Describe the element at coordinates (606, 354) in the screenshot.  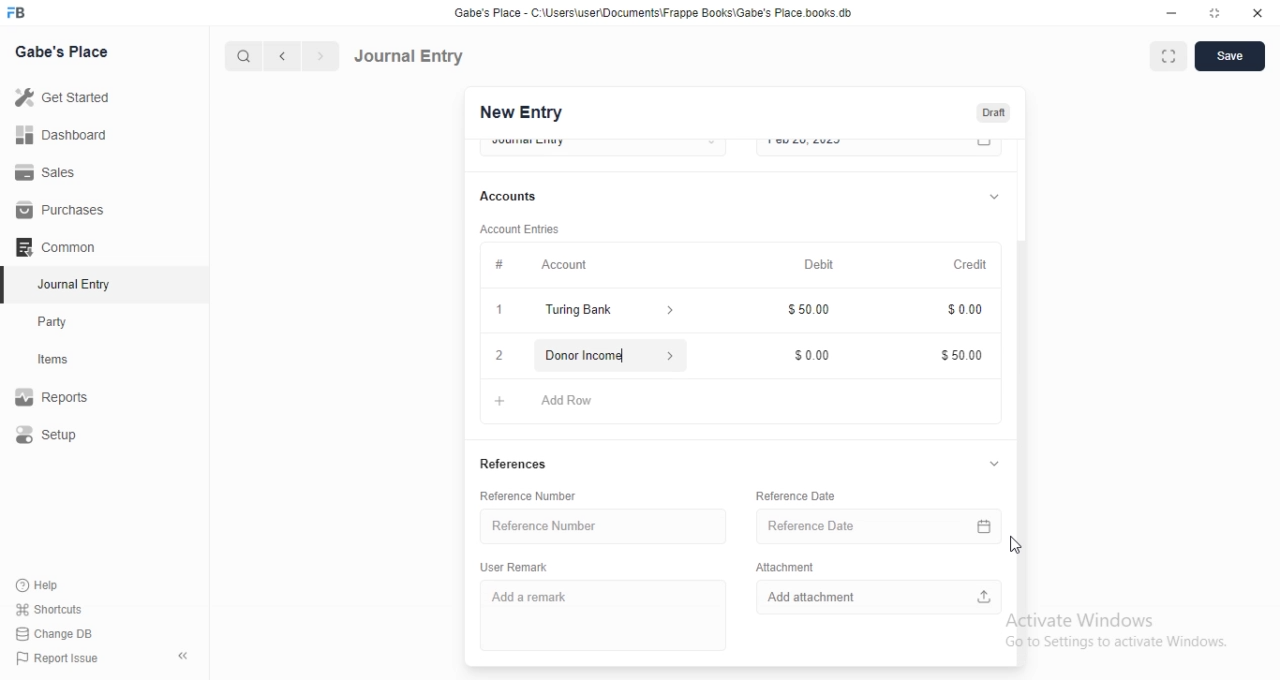
I see `donor income` at that location.